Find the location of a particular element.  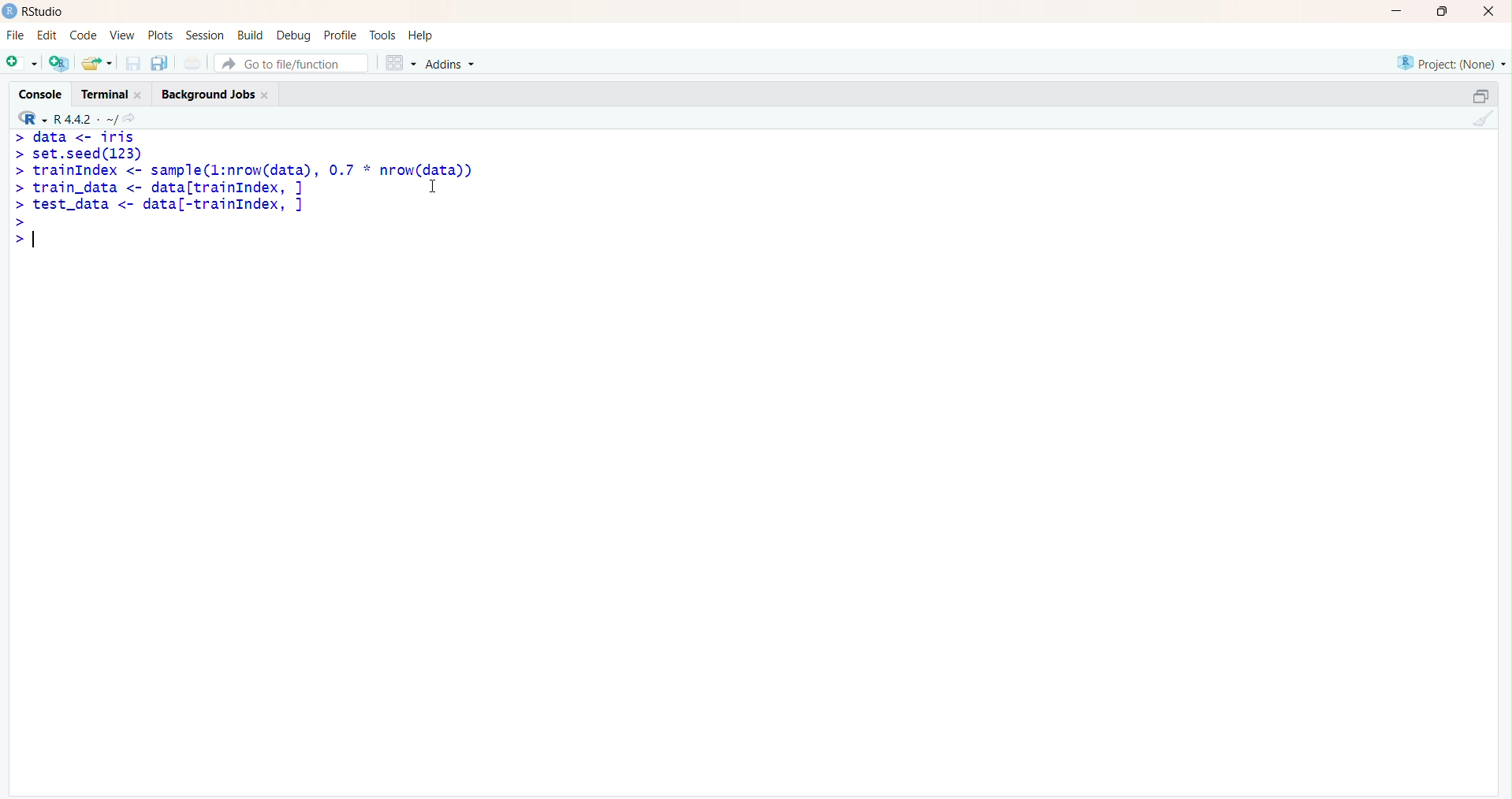

Minimize is located at coordinates (1398, 10).